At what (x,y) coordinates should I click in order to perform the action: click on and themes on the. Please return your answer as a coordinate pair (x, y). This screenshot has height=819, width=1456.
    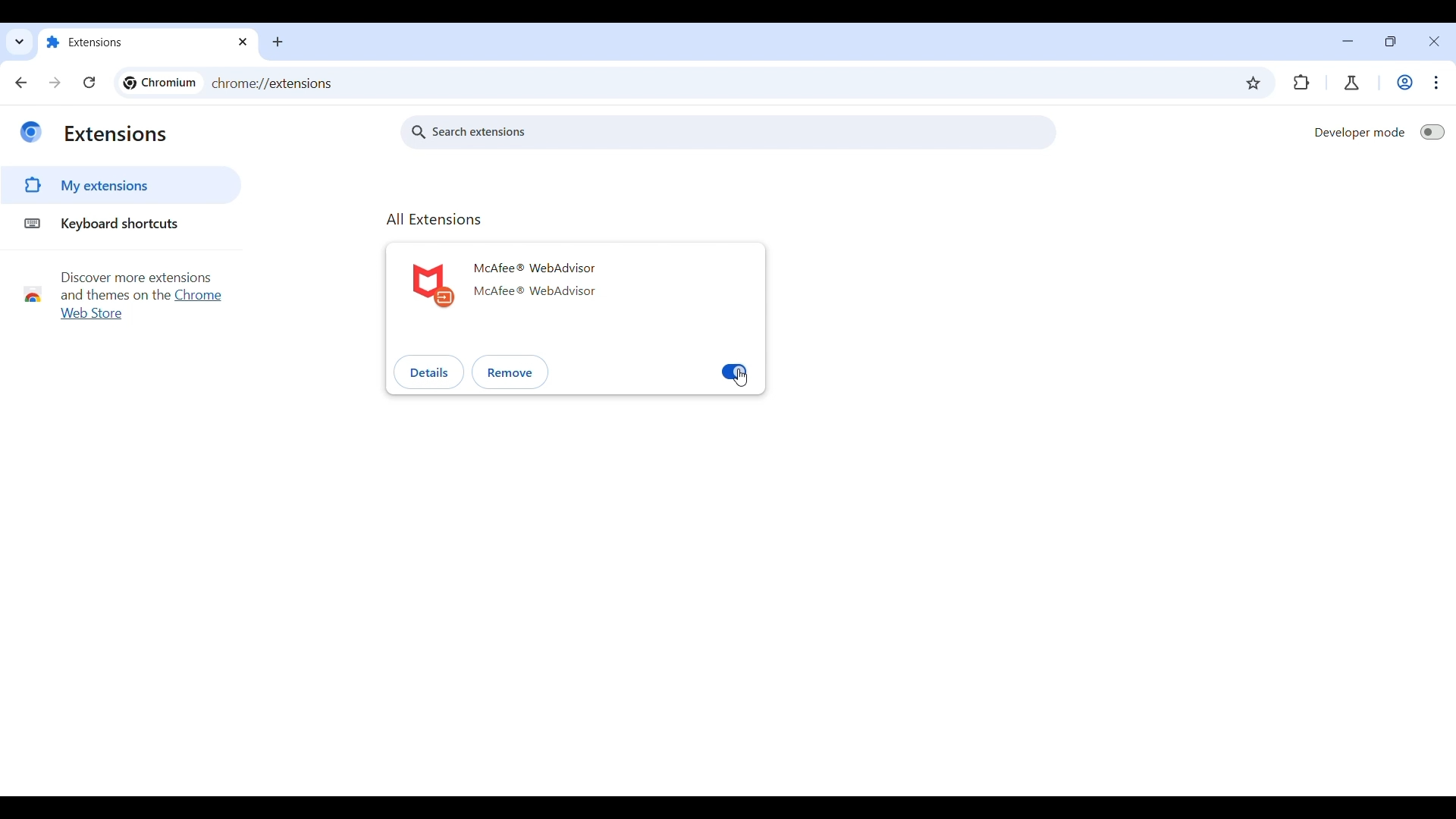
    Looking at the image, I should click on (114, 295).